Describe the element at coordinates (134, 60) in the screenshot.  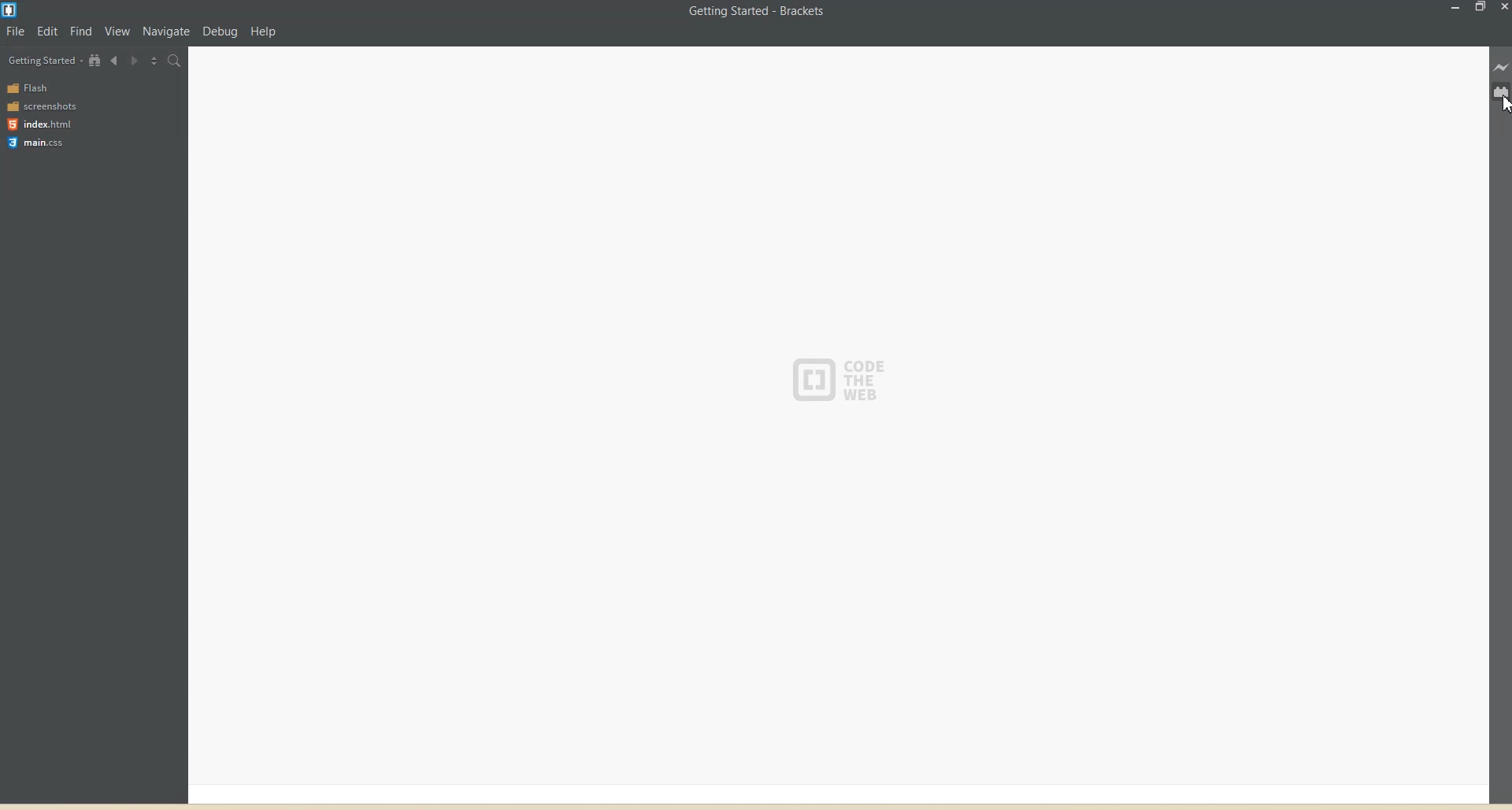
I see `Navigate Forwards` at that location.